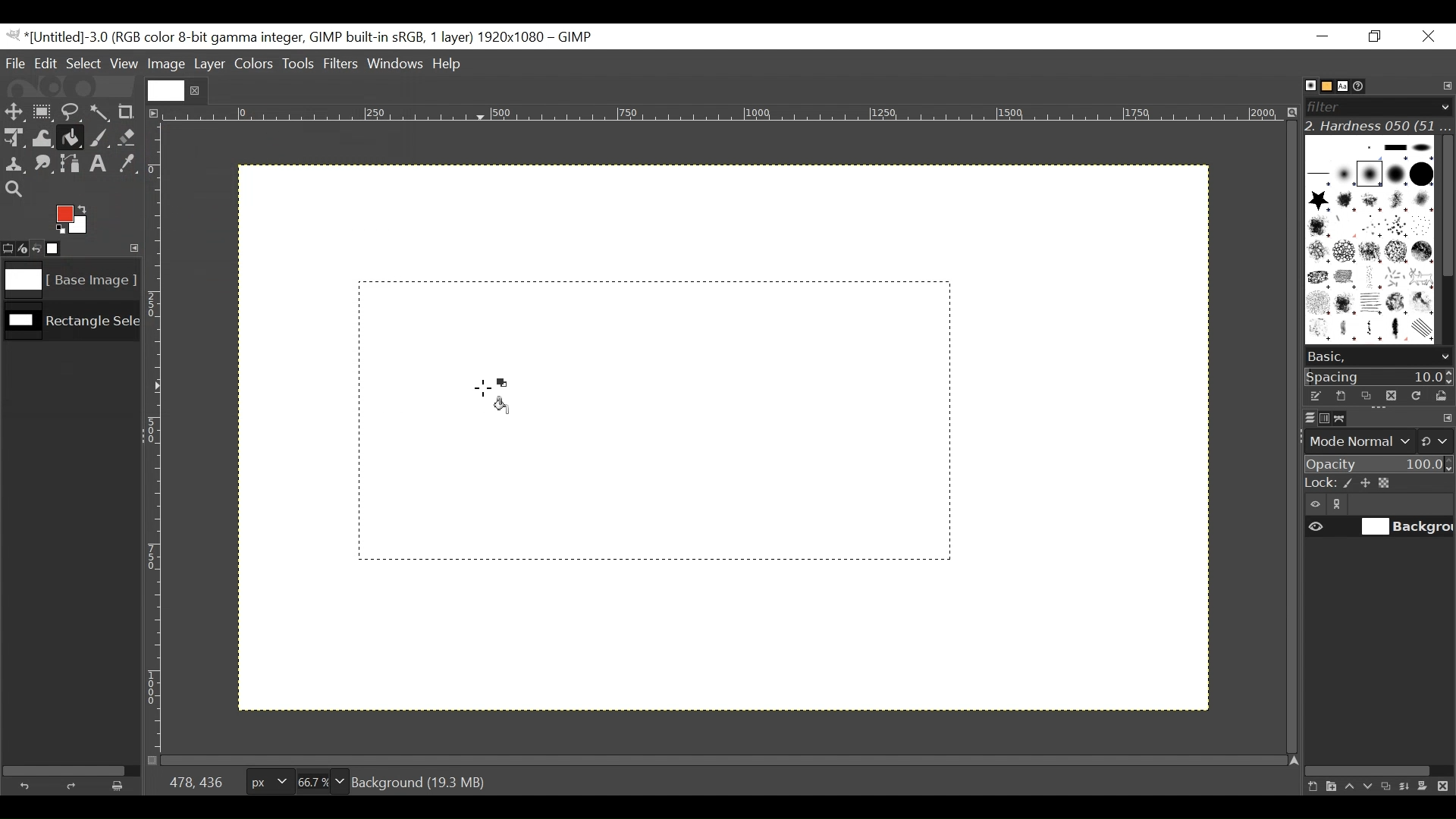 This screenshot has width=1456, height=819. I want to click on Help, so click(450, 65).